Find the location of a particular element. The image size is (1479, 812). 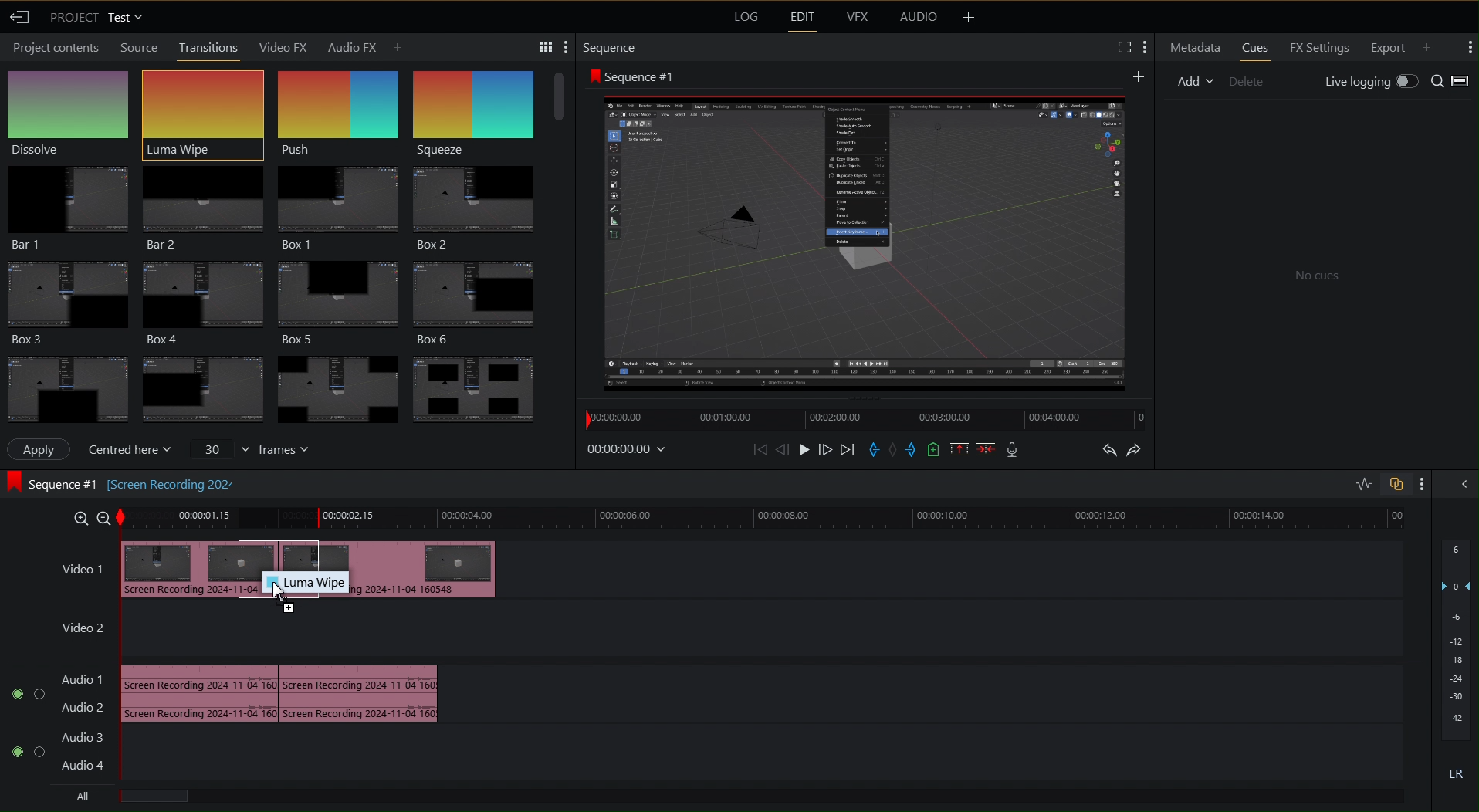

Centered here is located at coordinates (130, 449).